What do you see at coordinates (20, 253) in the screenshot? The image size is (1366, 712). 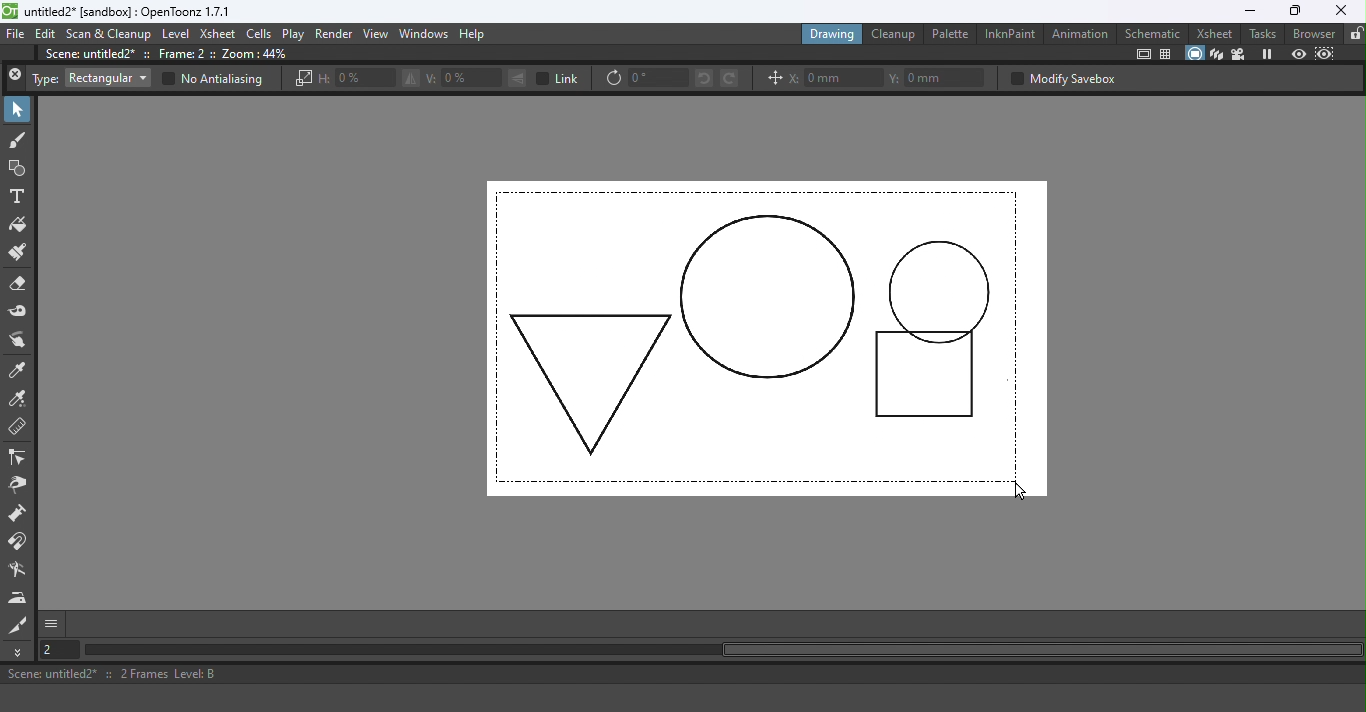 I see `Paintbrush tool` at bounding box center [20, 253].